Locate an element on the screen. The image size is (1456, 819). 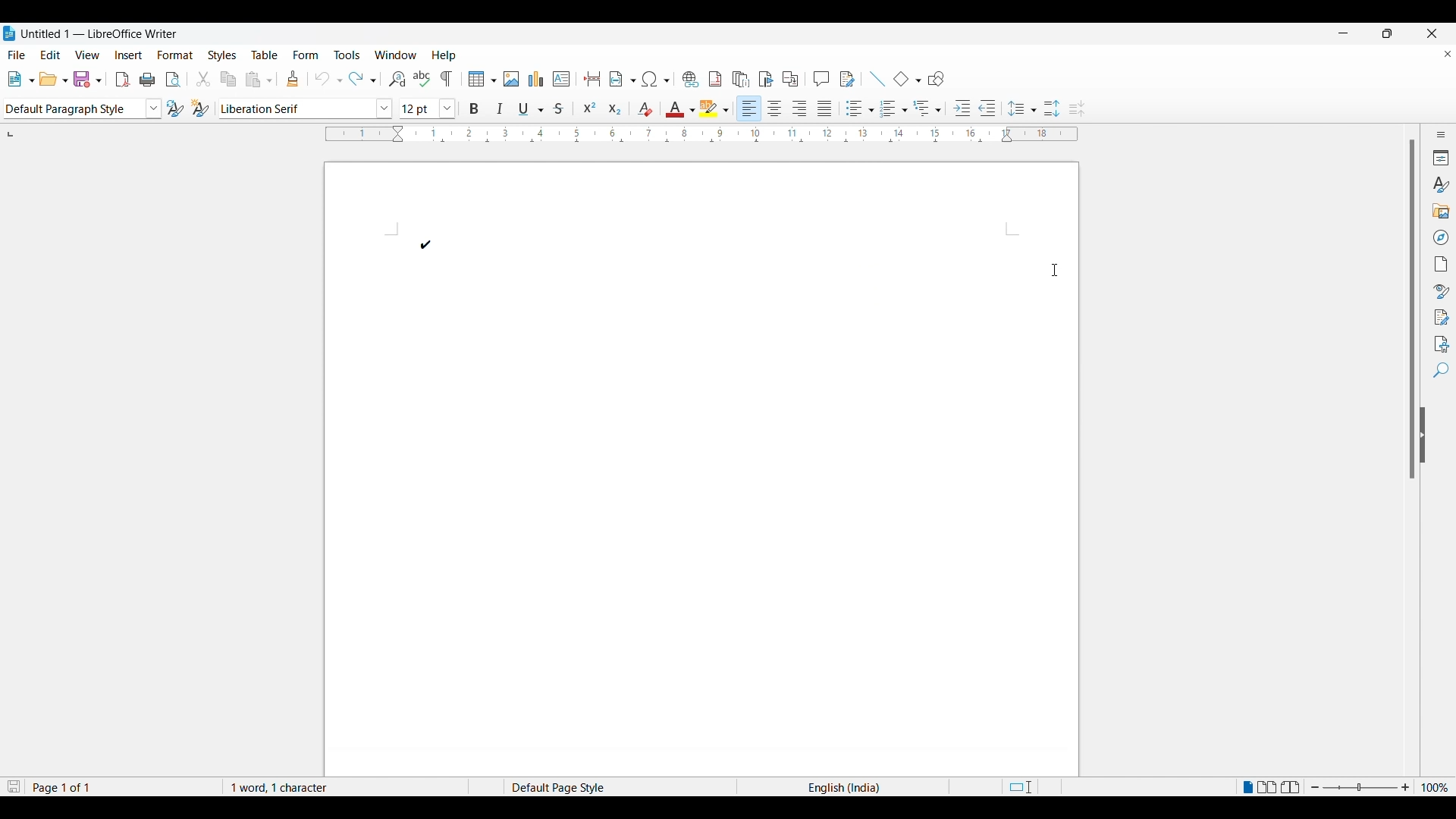
update style is located at coordinates (173, 109).